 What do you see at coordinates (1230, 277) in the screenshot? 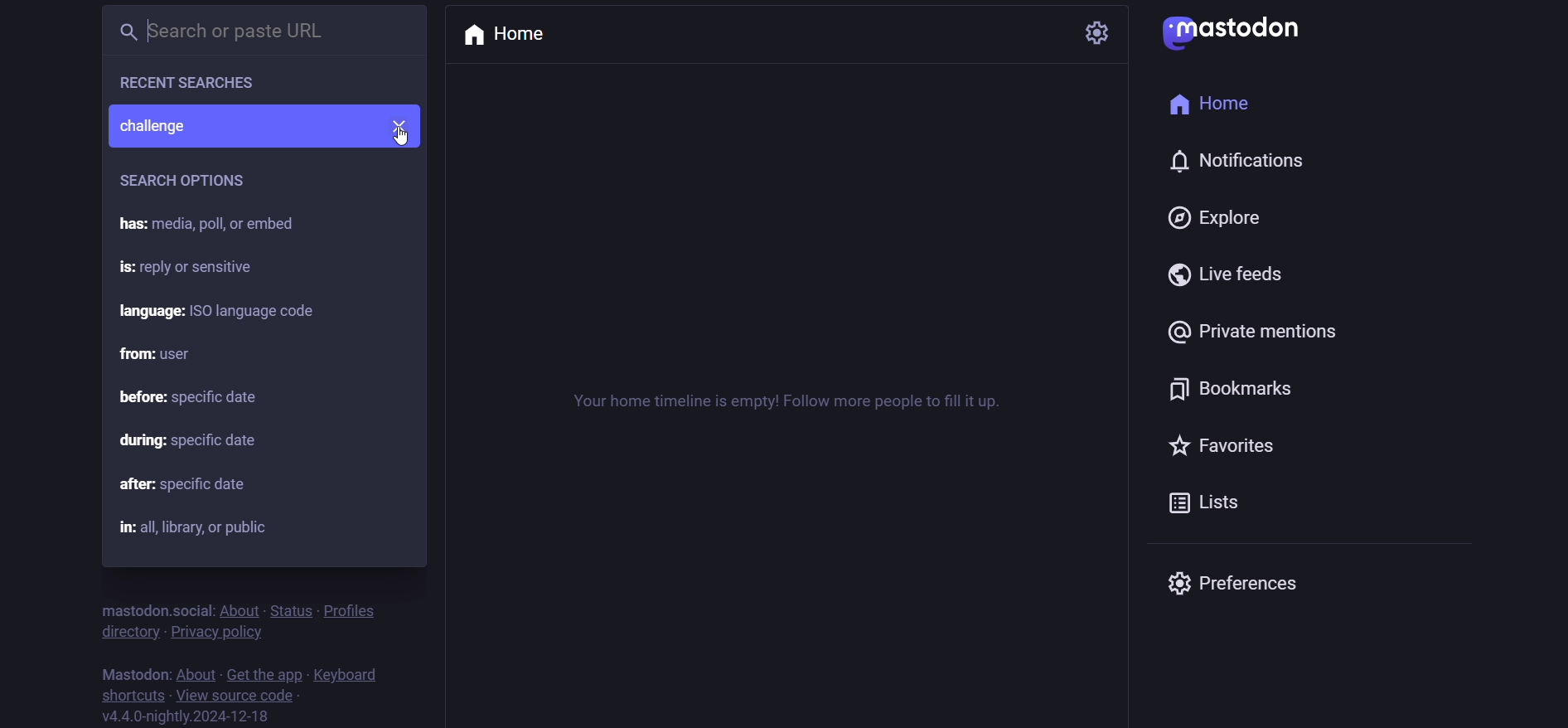
I see `live feed` at bounding box center [1230, 277].